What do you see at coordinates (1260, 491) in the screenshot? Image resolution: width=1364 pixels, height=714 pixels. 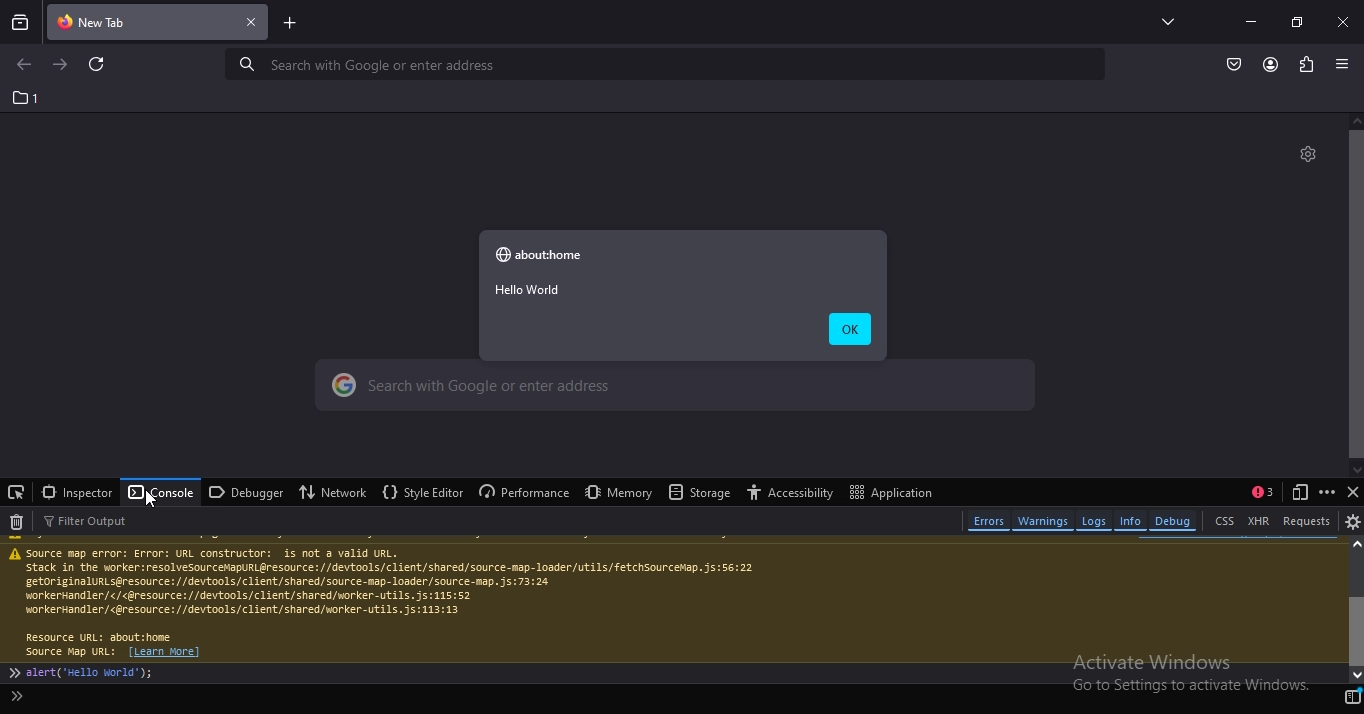 I see `show split console` at bounding box center [1260, 491].